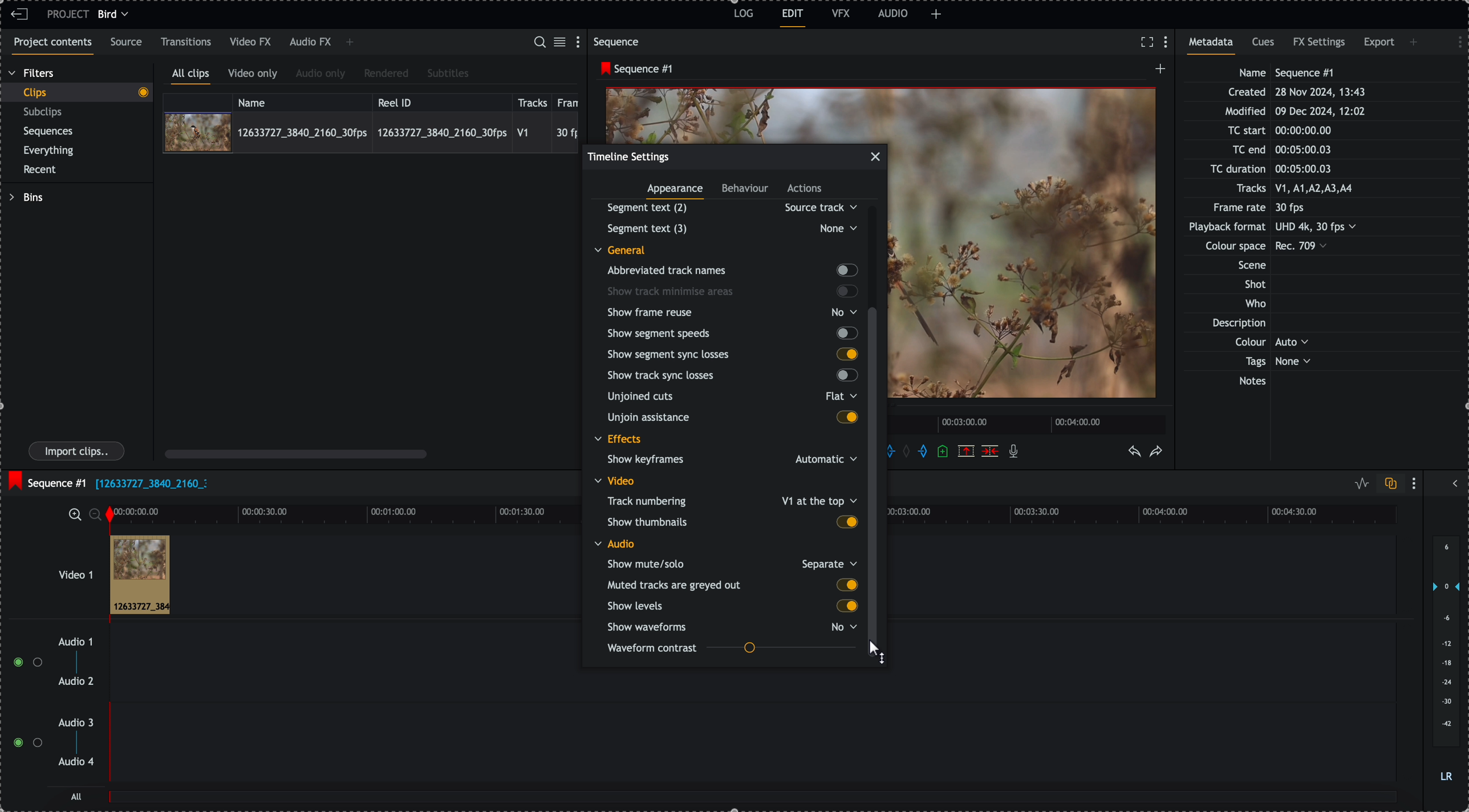  What do you see at coordinates (343, 513) in the screenshot?
I see `timeline` at bounding box center [343, 513].